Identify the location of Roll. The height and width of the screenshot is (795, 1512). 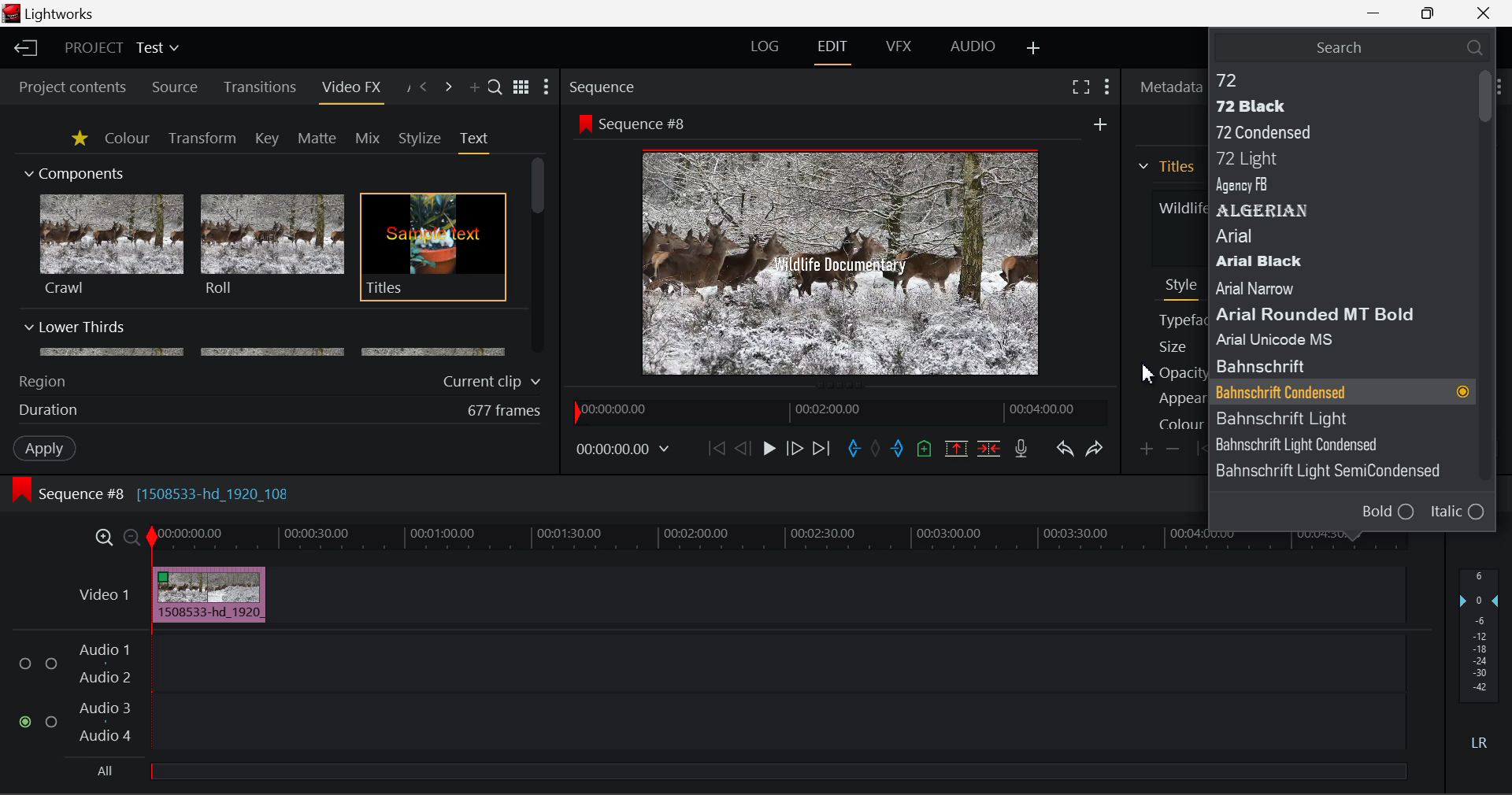
(271, 246).